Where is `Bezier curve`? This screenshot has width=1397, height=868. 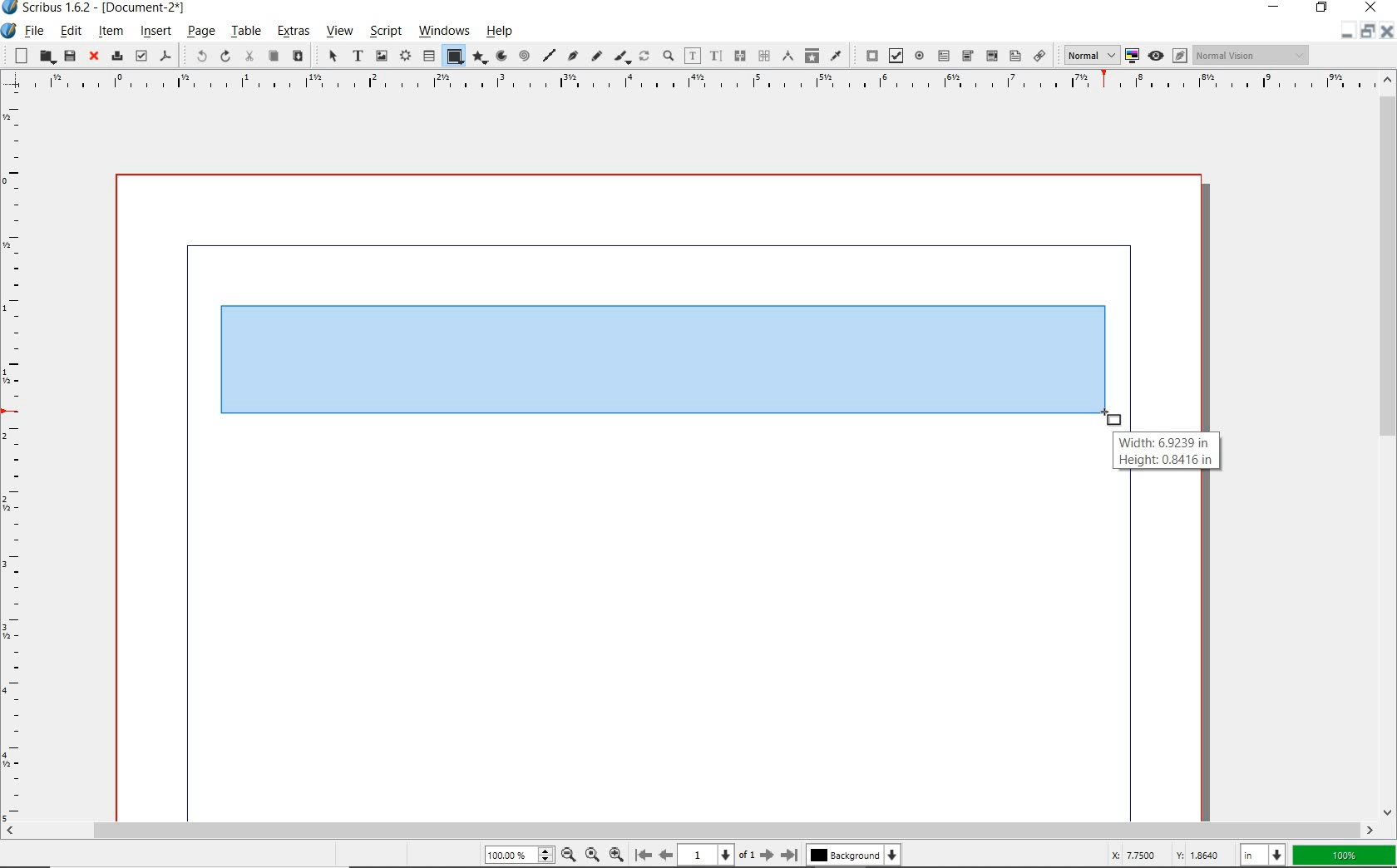 Bezier curve is located at coordinates (574, 57).